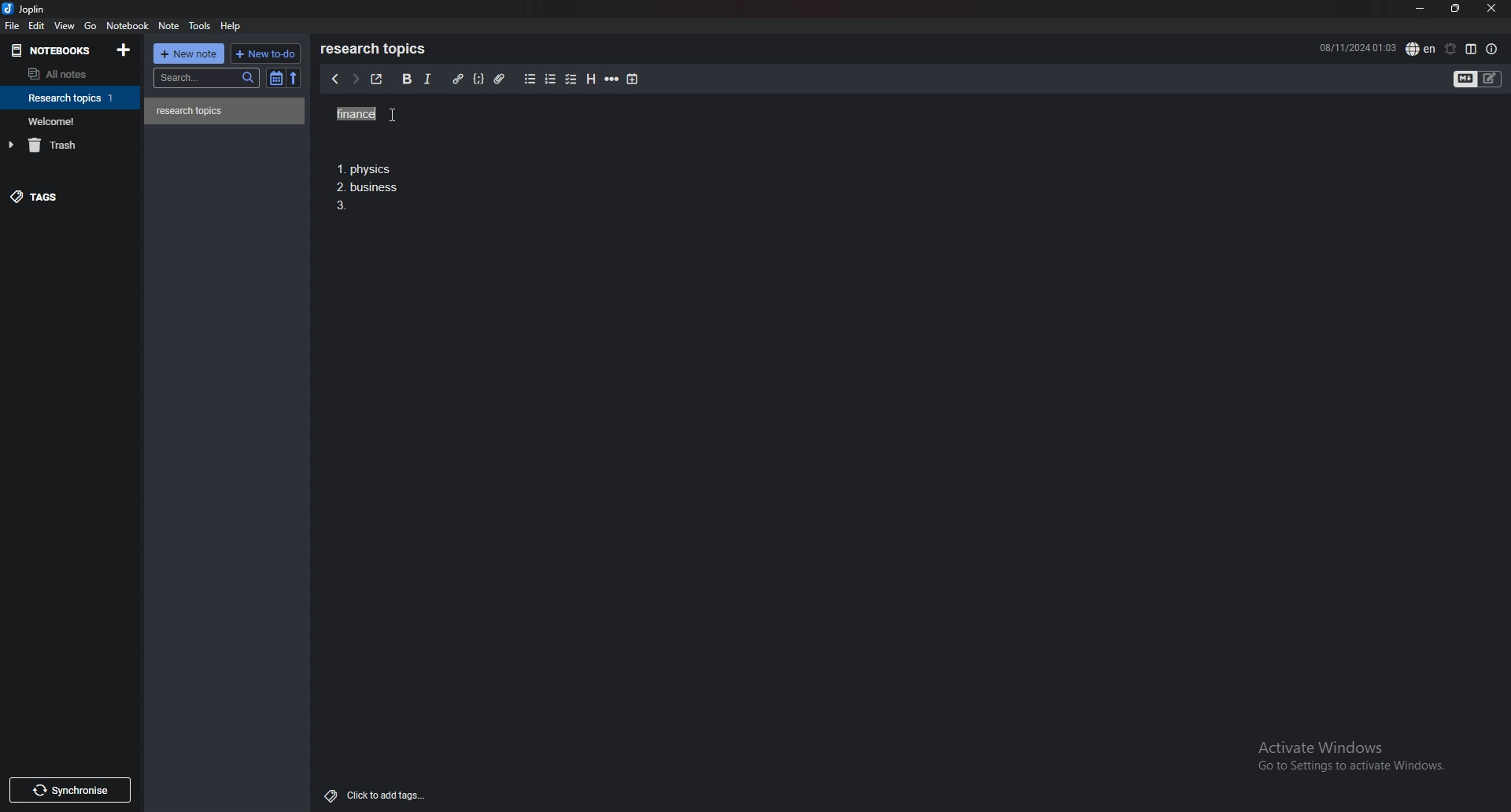  Describe the element at coordinates (357, 114) in the screenshot. I see `selected text - finance` at that location.